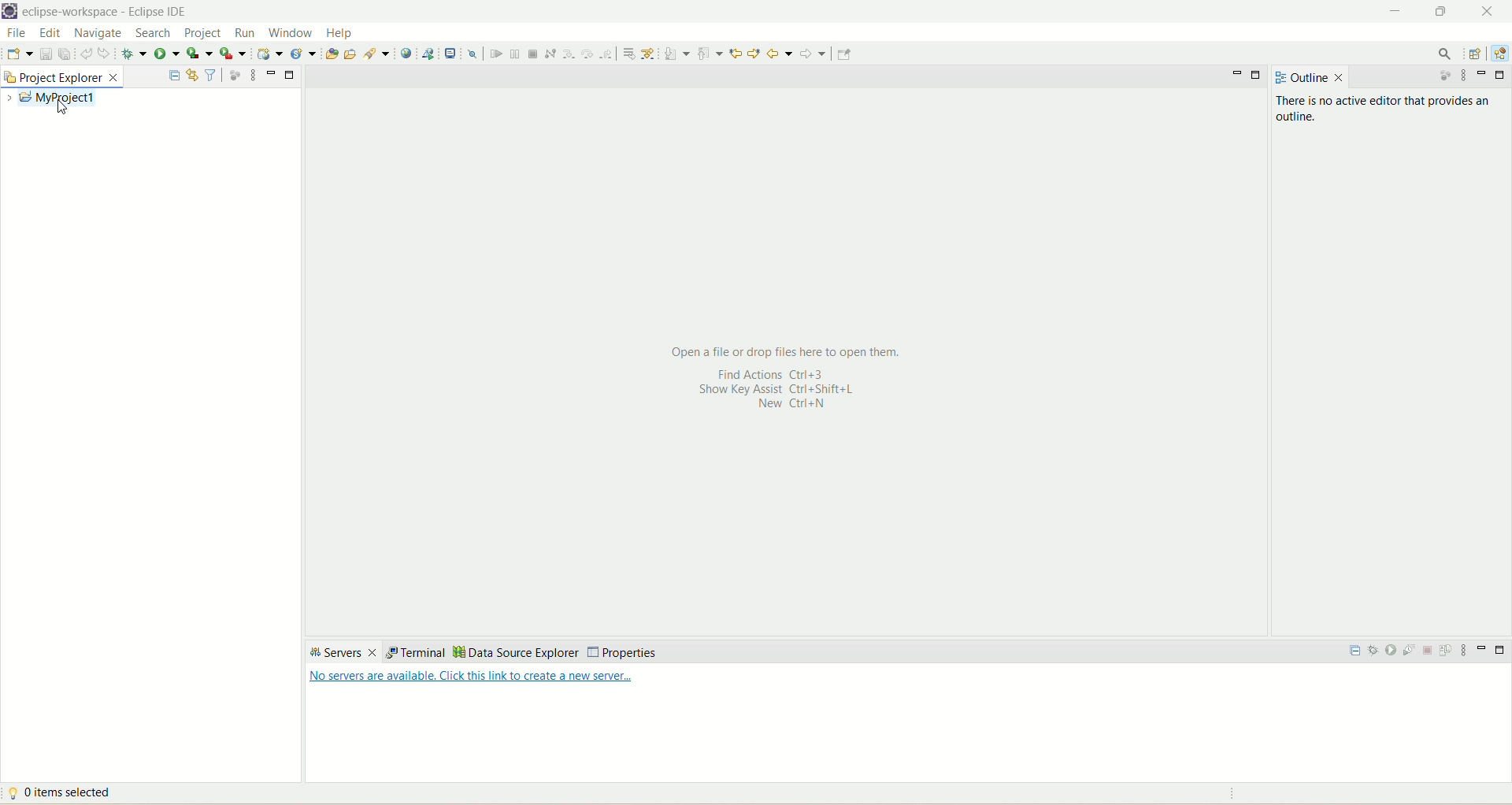 The height and width of the screenshot is (805, 1512). What do you see at coordinates (105, 53) in the screenshot?
I see `redo` at bounding box center [105, 53].